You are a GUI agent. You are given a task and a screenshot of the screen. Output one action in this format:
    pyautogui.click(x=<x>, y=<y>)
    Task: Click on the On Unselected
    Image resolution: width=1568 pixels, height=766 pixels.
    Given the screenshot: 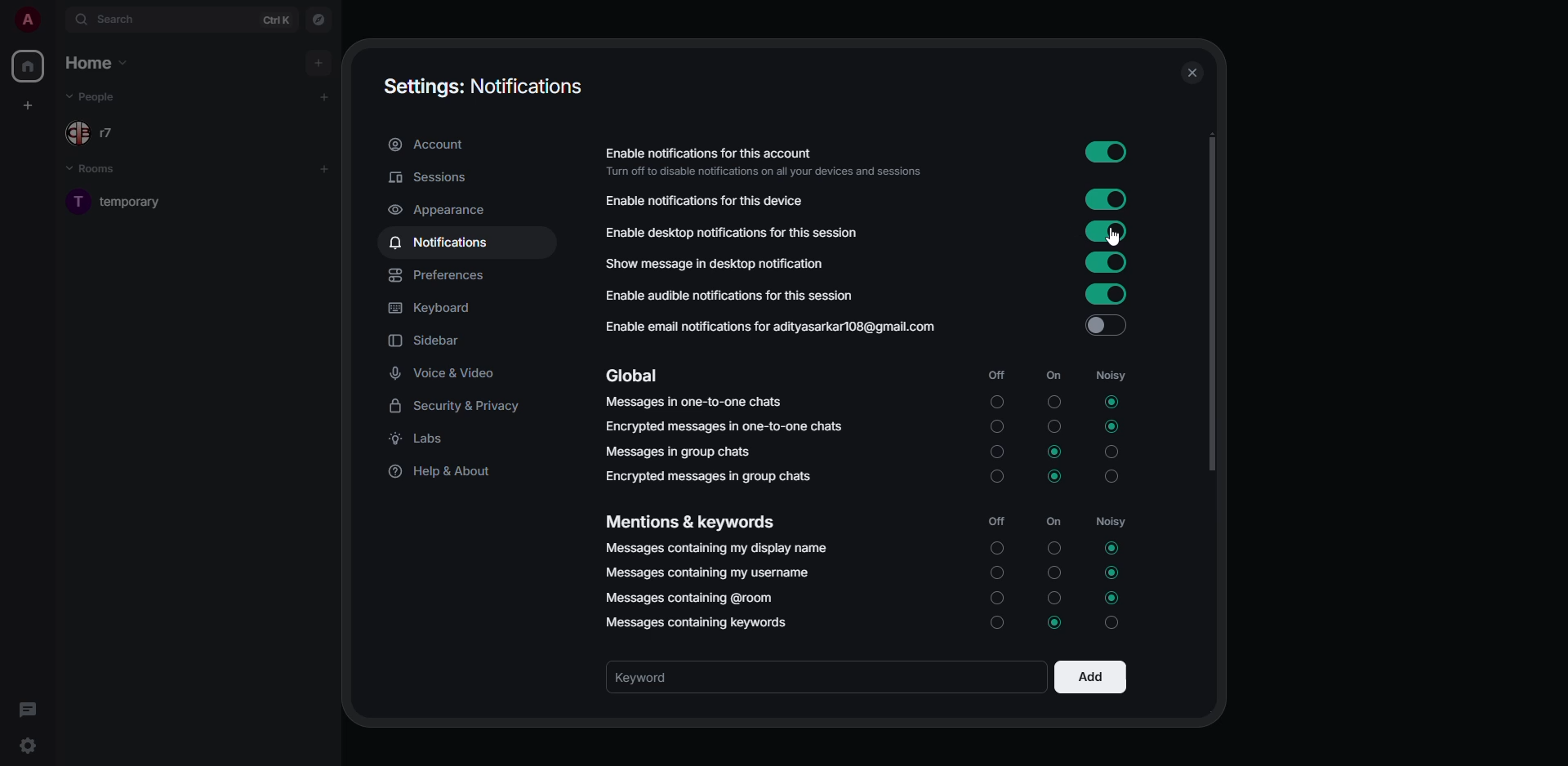 What is the action you would take?
    pyautogui.click(x=1054, y=548)
    